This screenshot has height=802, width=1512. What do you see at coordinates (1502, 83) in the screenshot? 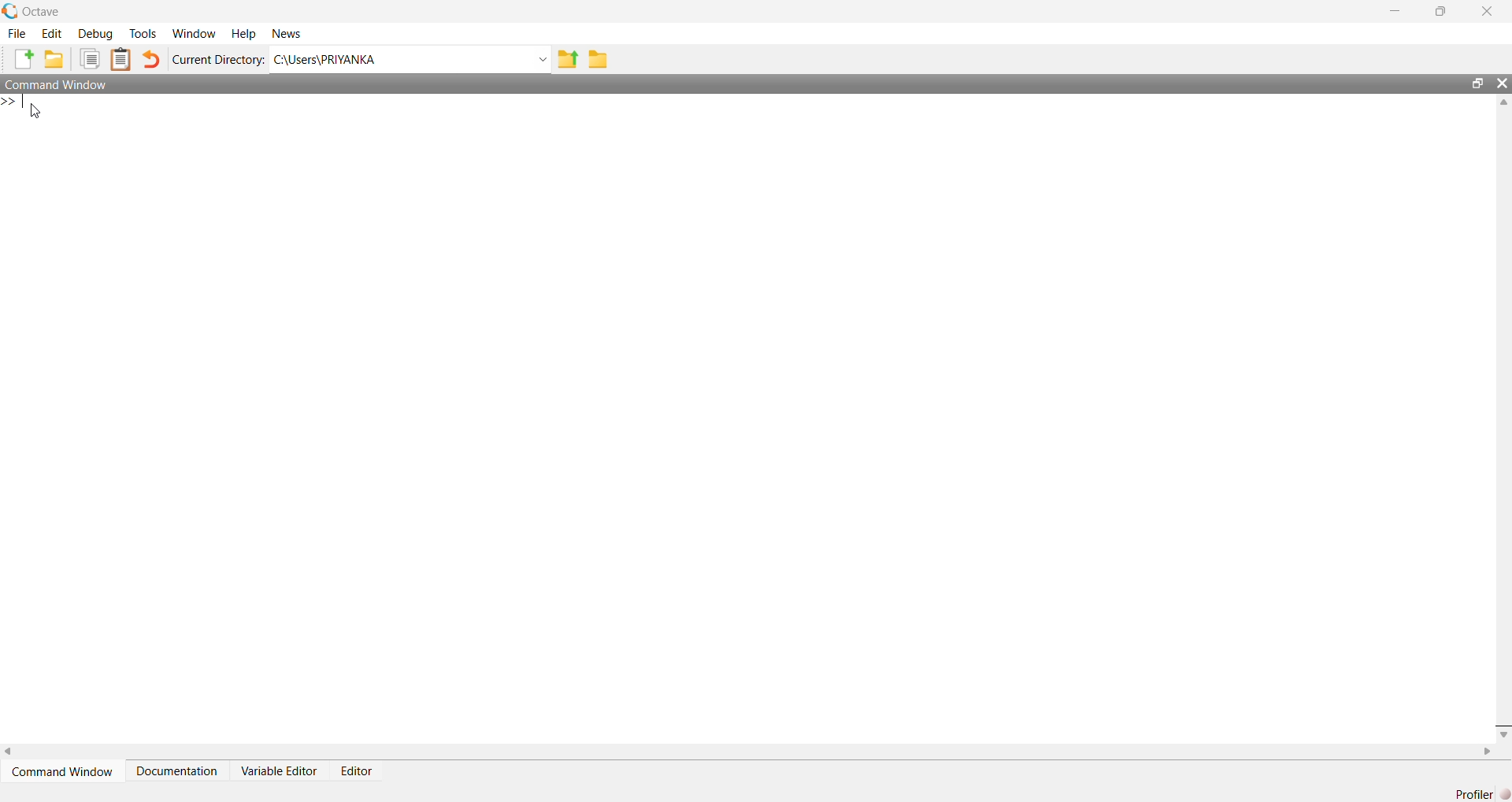
I see `close` at bounding box center [1502, 83].